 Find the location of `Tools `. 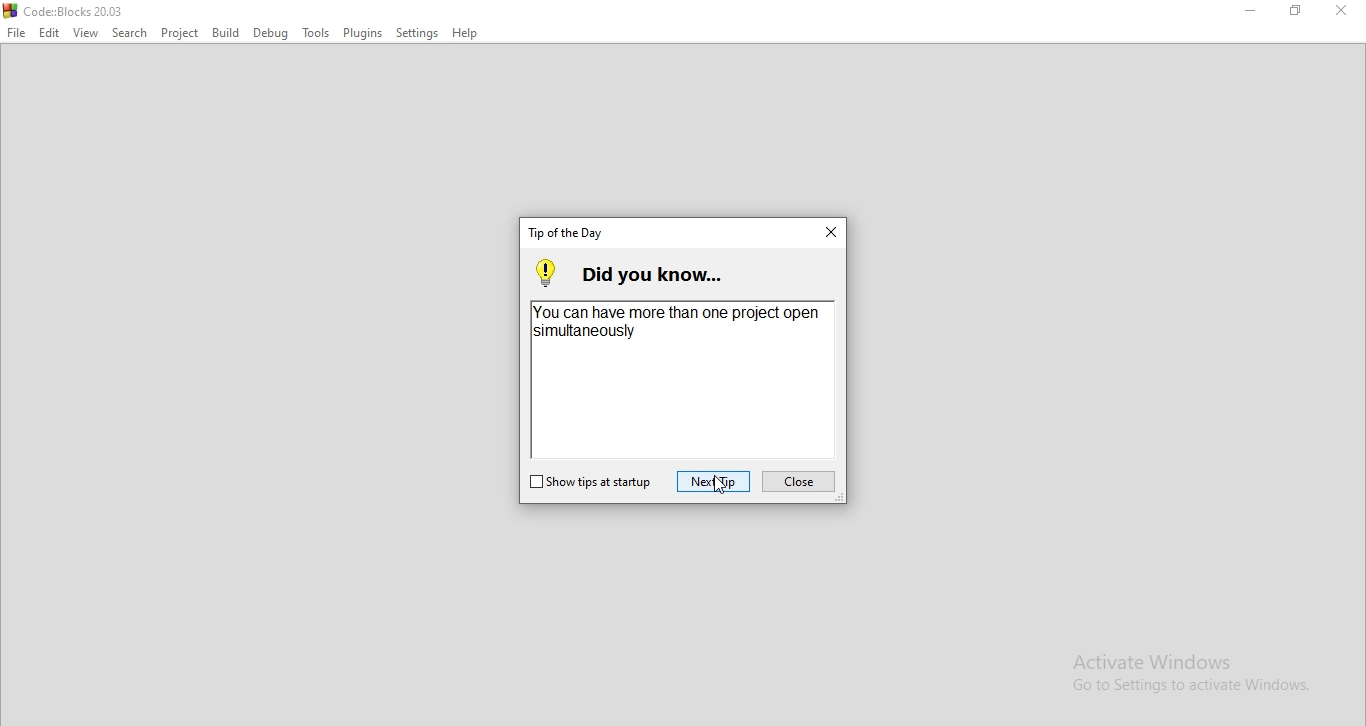

Tools  is located at coordinates (314, 33).